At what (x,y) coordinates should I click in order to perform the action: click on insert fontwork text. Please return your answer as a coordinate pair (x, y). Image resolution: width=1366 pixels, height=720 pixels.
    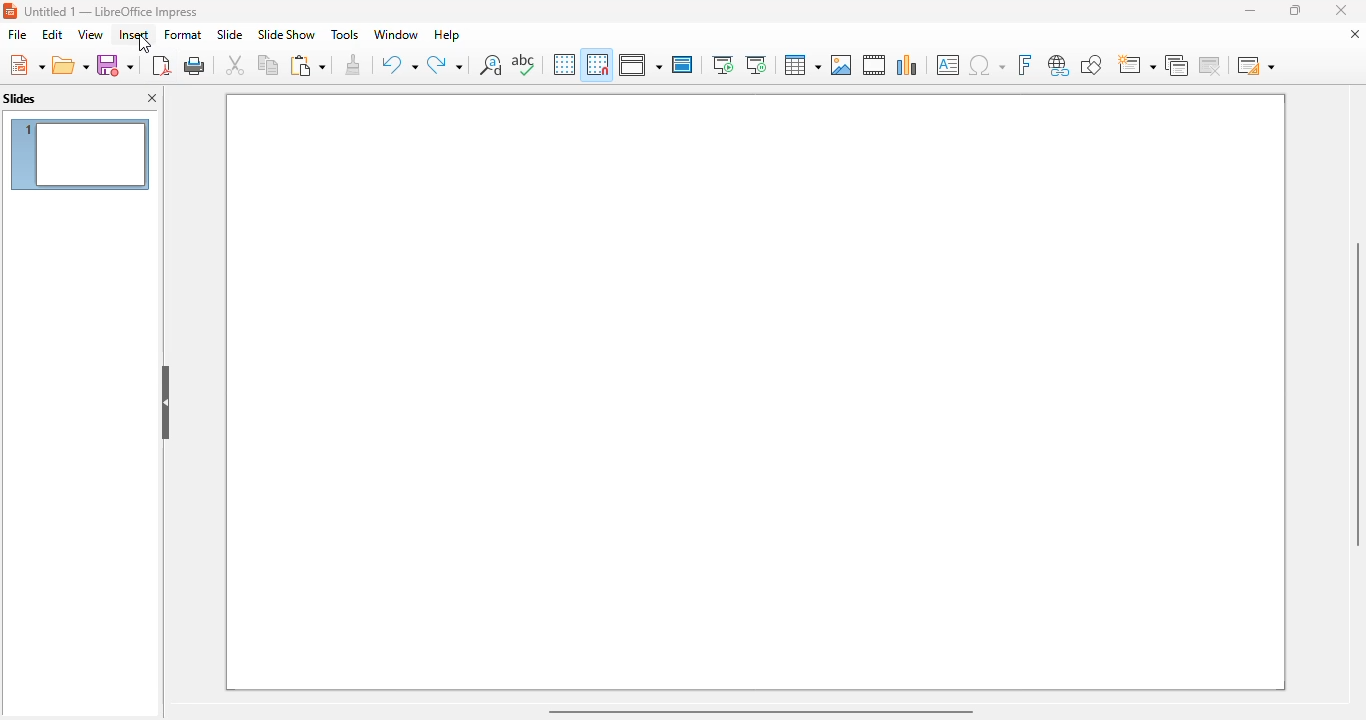
    Looking at the image, I should click on (1024, 64).